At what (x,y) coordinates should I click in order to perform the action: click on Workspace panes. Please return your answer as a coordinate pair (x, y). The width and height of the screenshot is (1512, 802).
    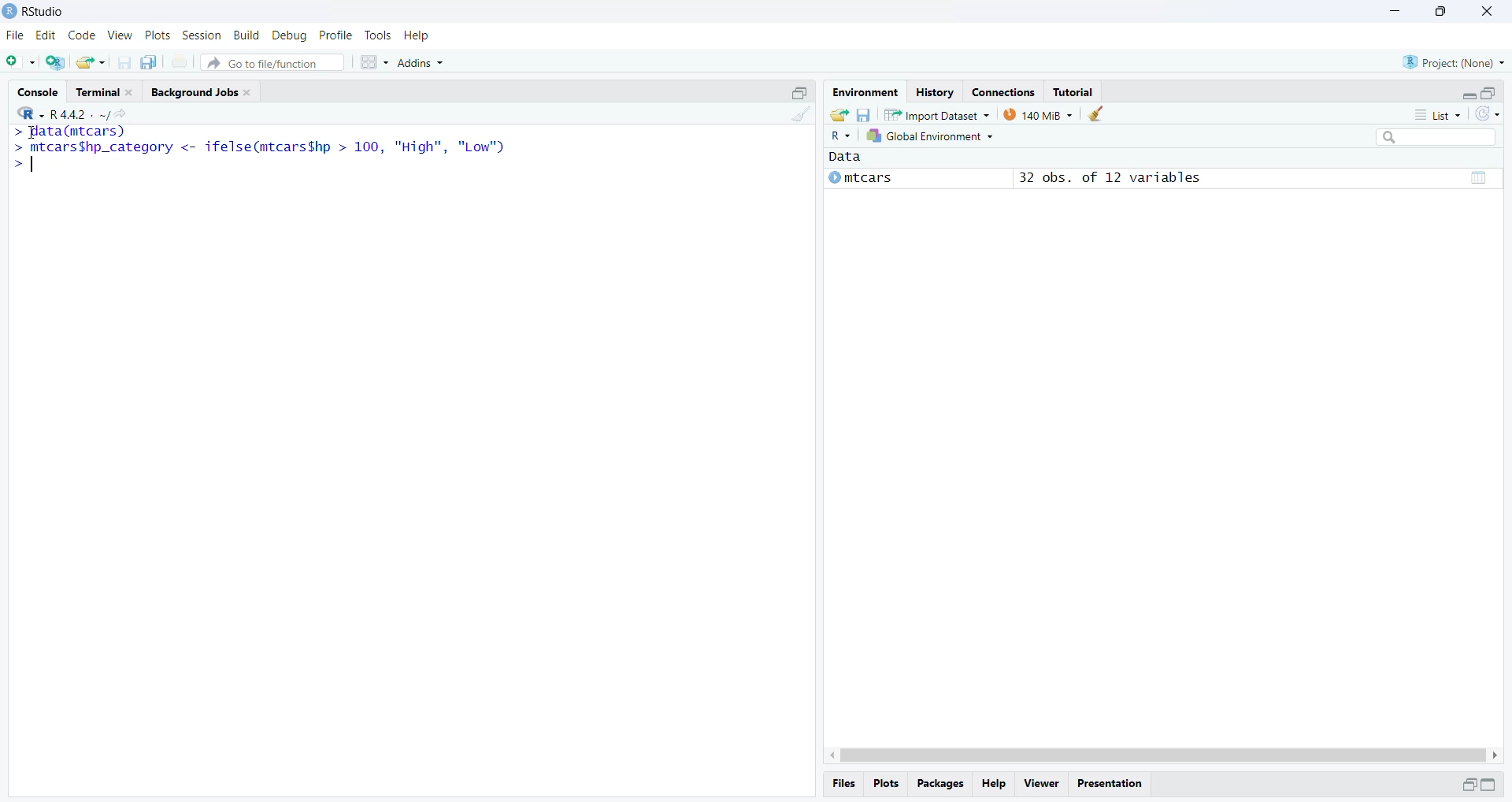
    Looking at the image, I should click on (373, 61).